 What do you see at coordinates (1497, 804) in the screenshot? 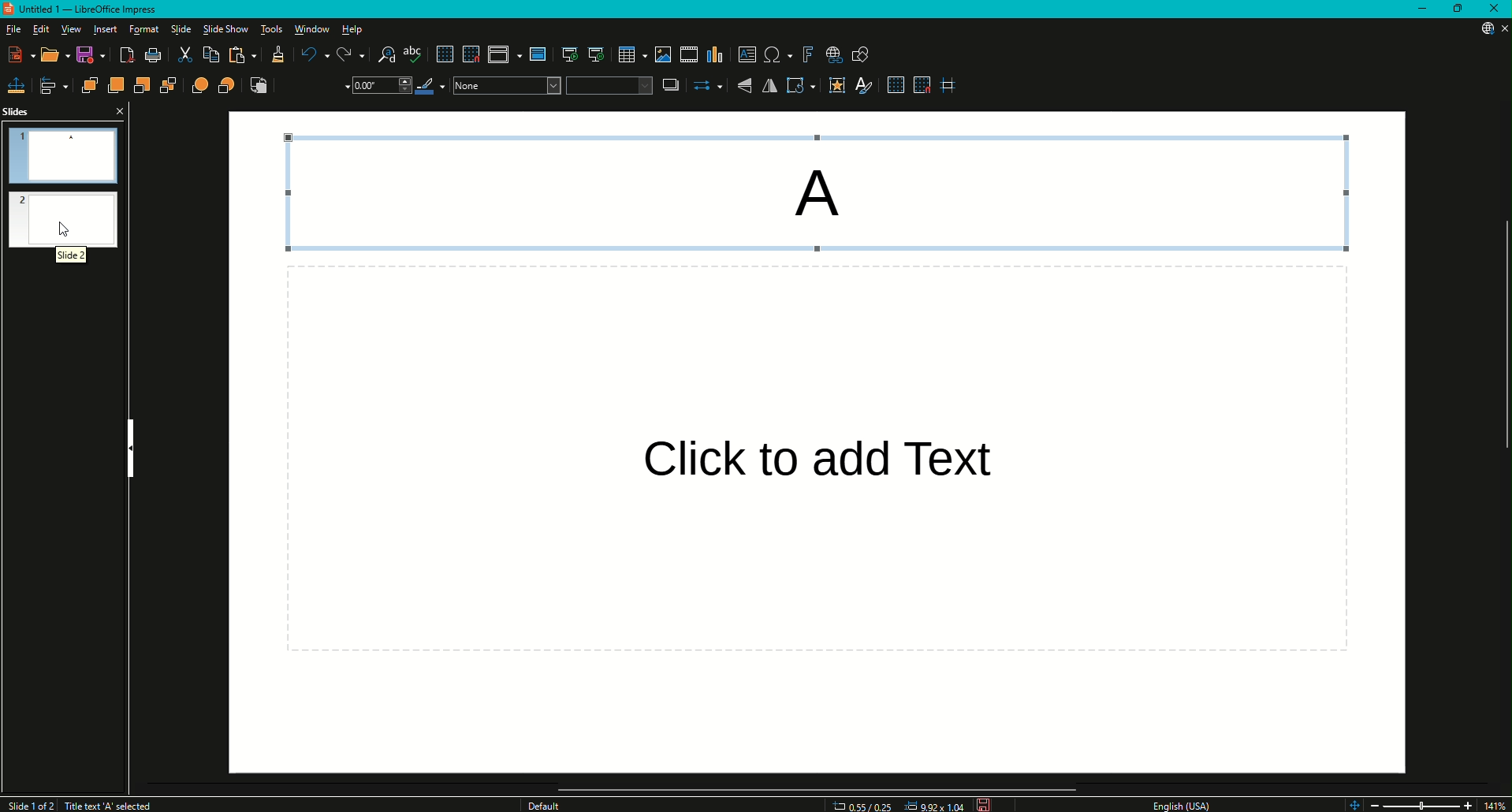
I see `14%` at bounding box center [1497, 804].